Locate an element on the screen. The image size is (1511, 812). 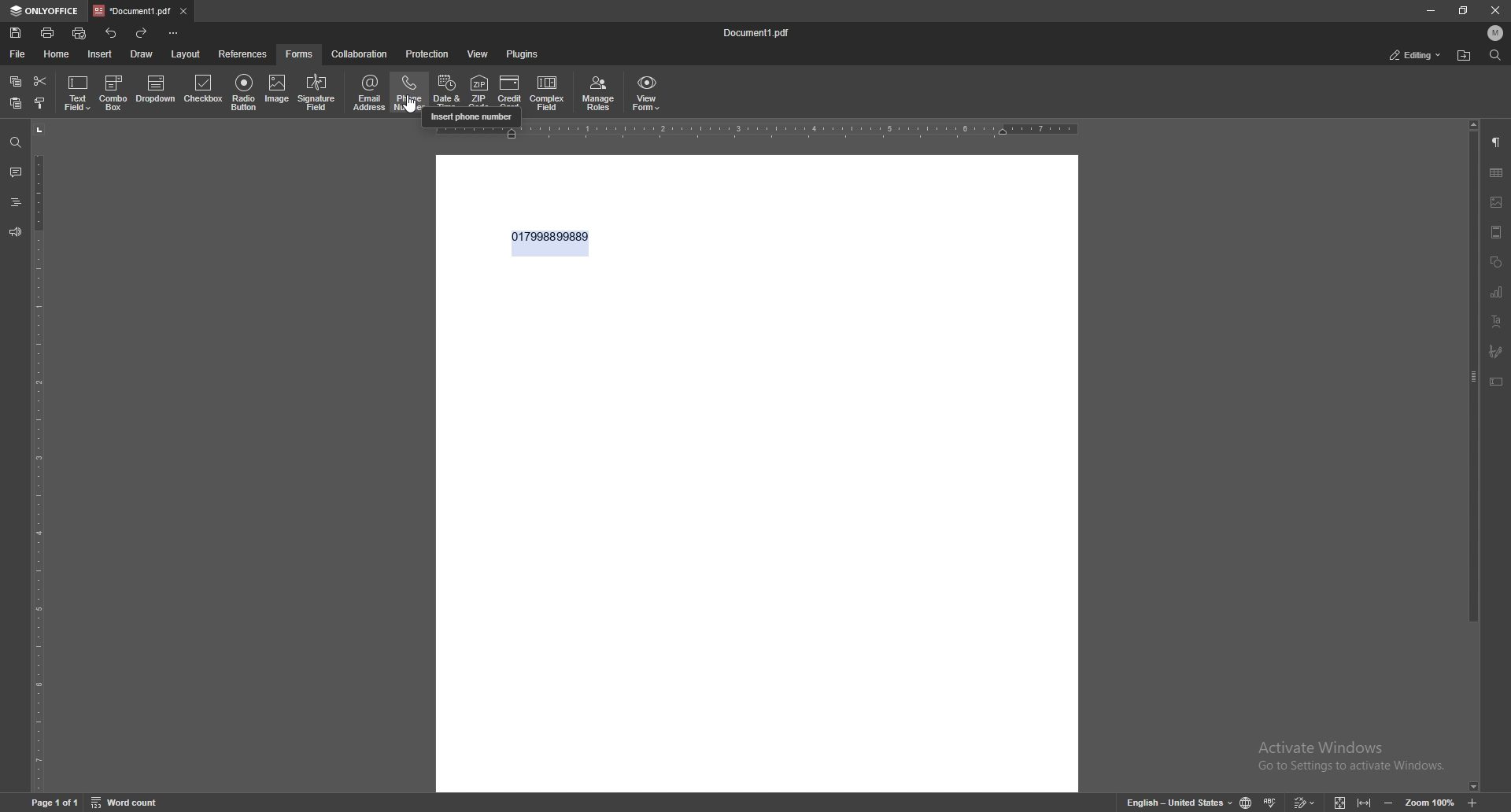
email address is located at coordinates (369, 92).